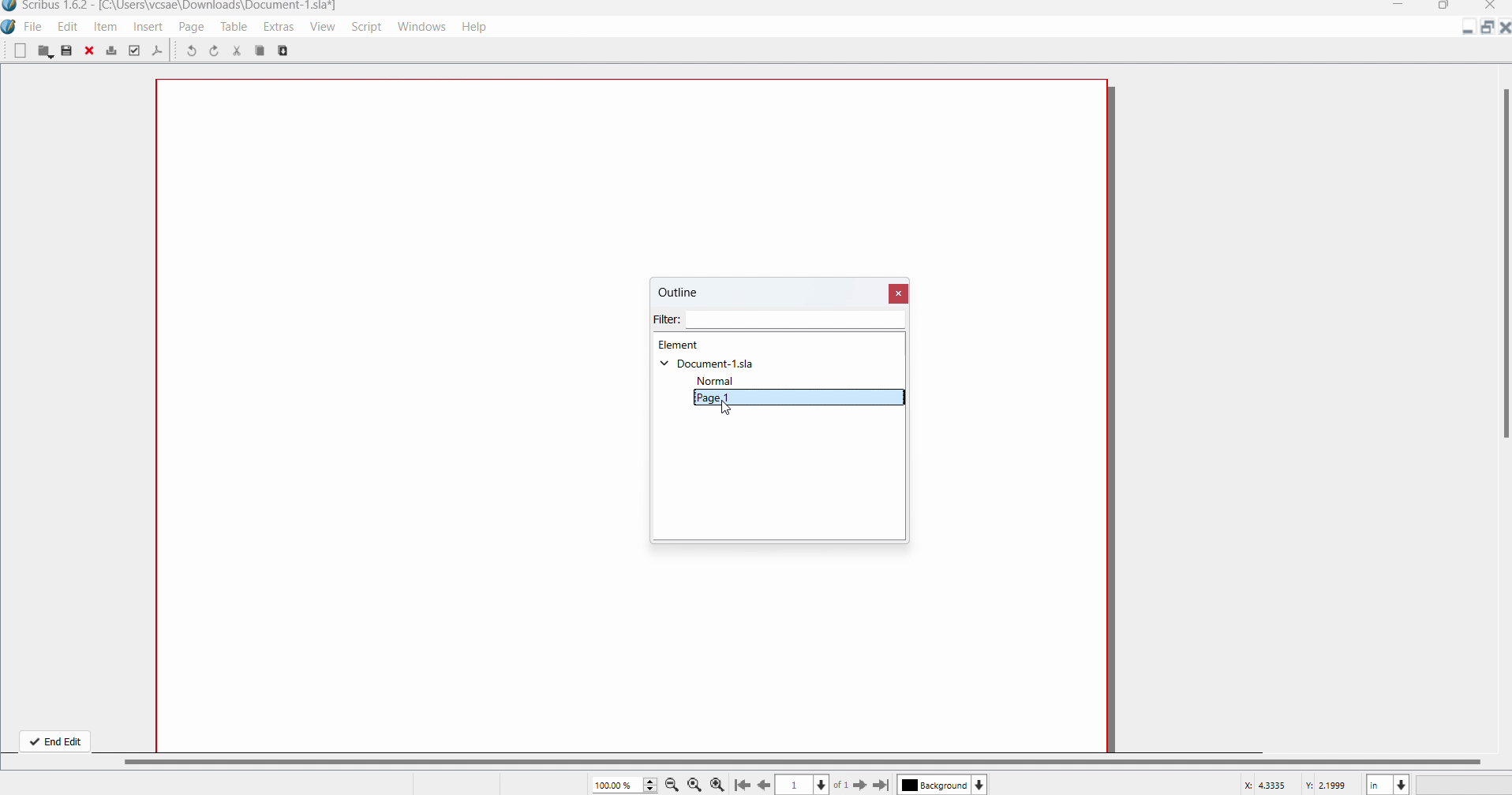  What do you see at coordinates (283, 28) in the screenshot?
I see `` at bounding box center [283, 28].